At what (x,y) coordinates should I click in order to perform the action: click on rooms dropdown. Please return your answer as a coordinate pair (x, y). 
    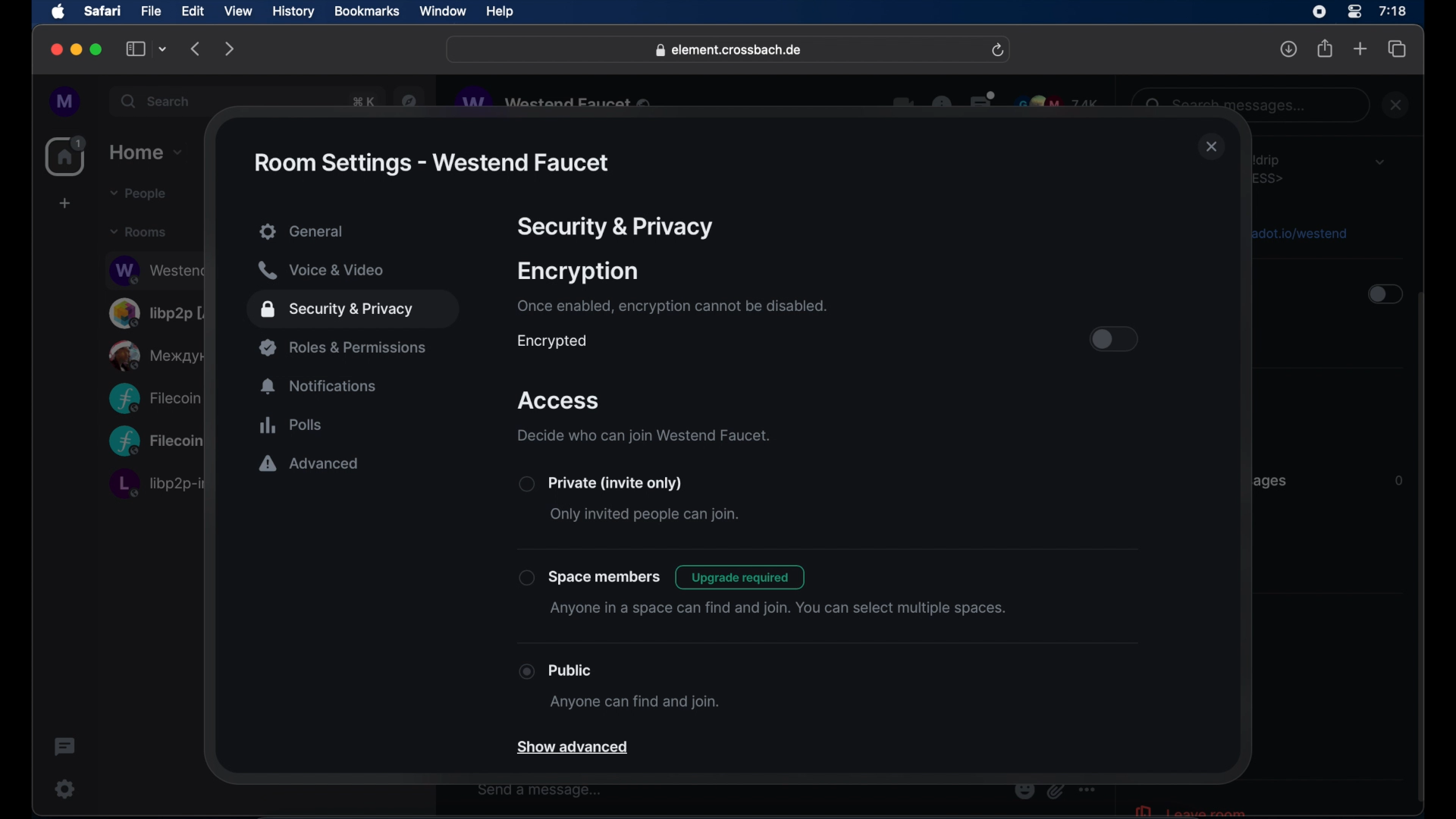
    Looking at the image, I should click on (139, 232).